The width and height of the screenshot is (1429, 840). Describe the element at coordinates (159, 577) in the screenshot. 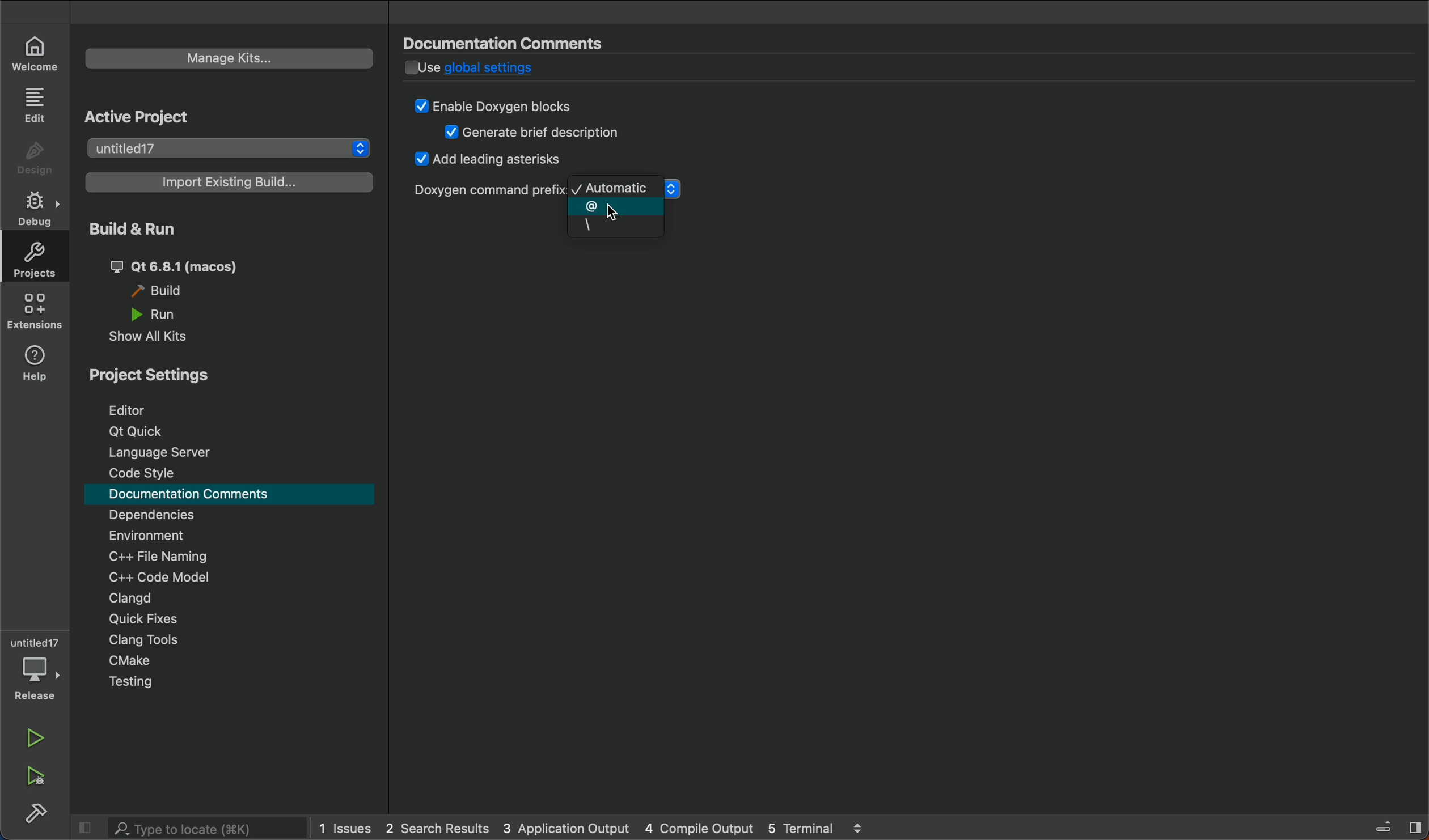

I see `c model` at that location.